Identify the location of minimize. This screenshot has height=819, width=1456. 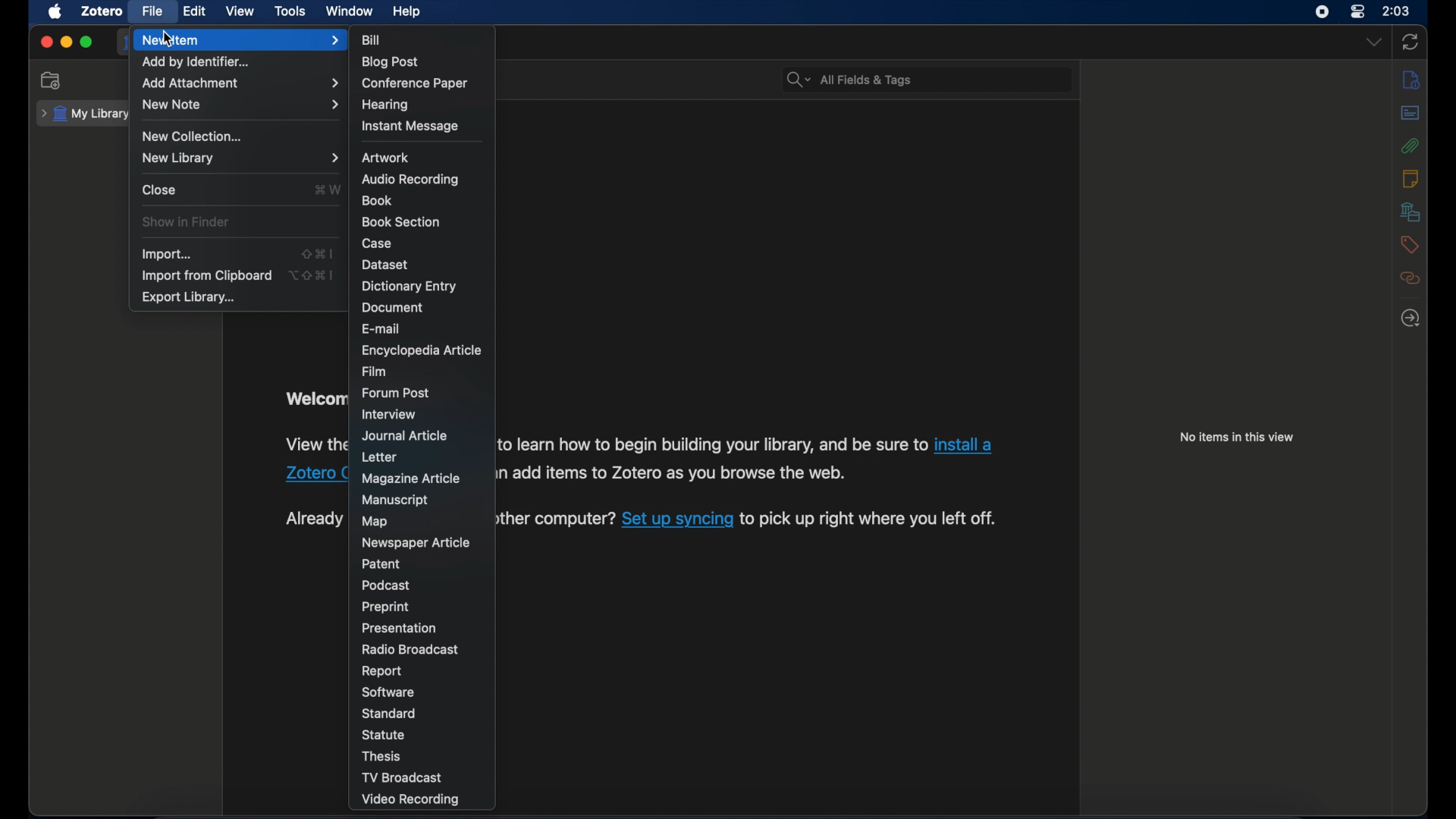
(67, 42).